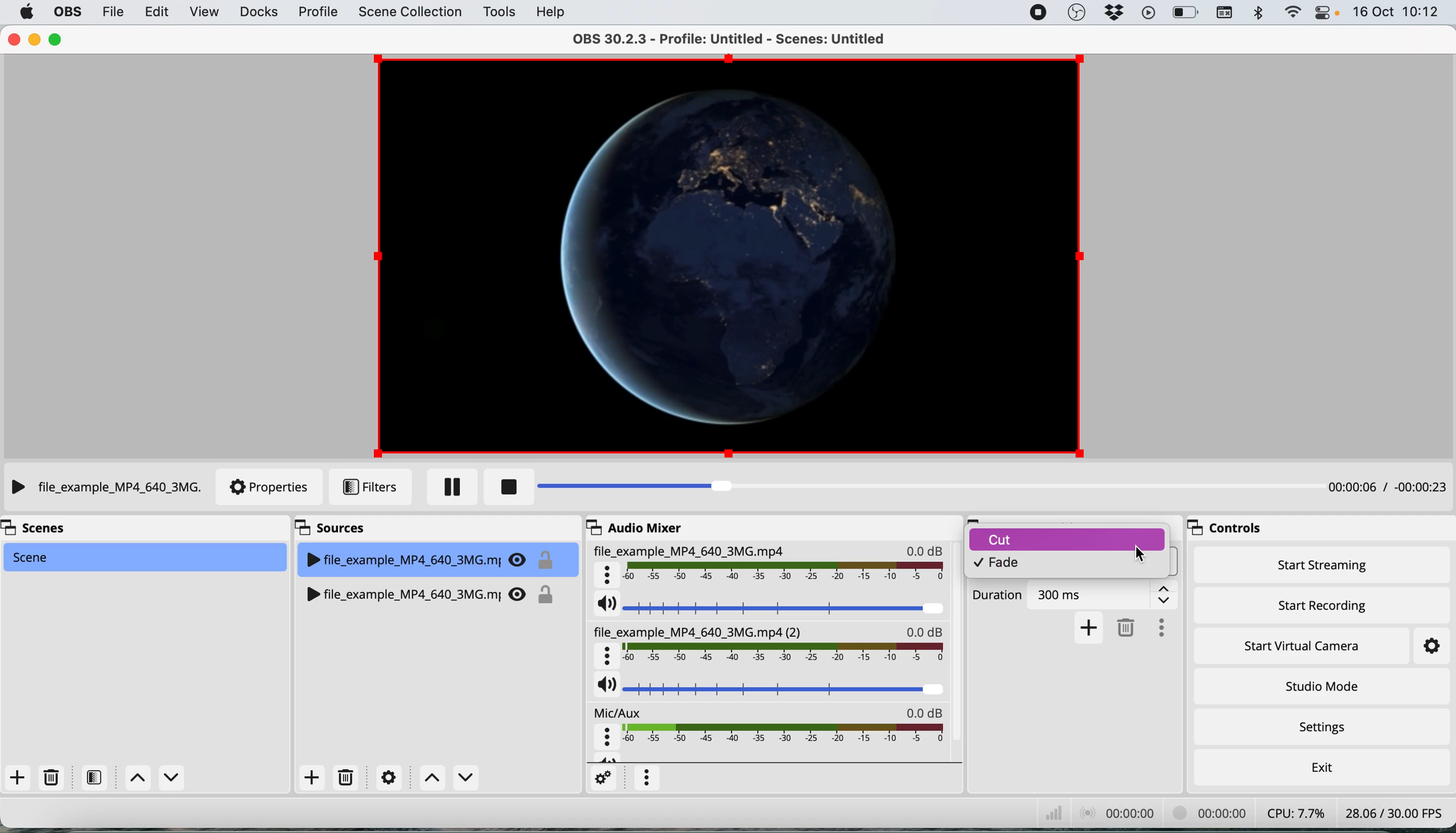  I want to click on settings, so click(600, 778).